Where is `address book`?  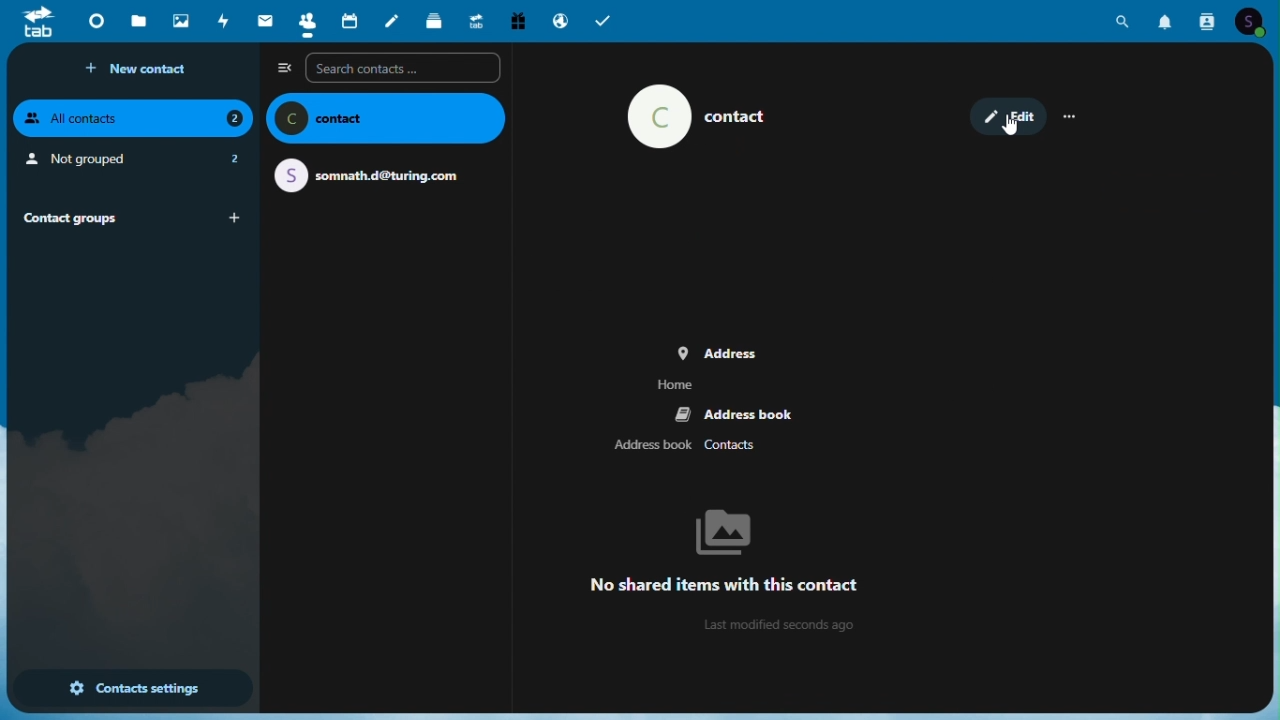 address book is located at coordinates (735, 413).